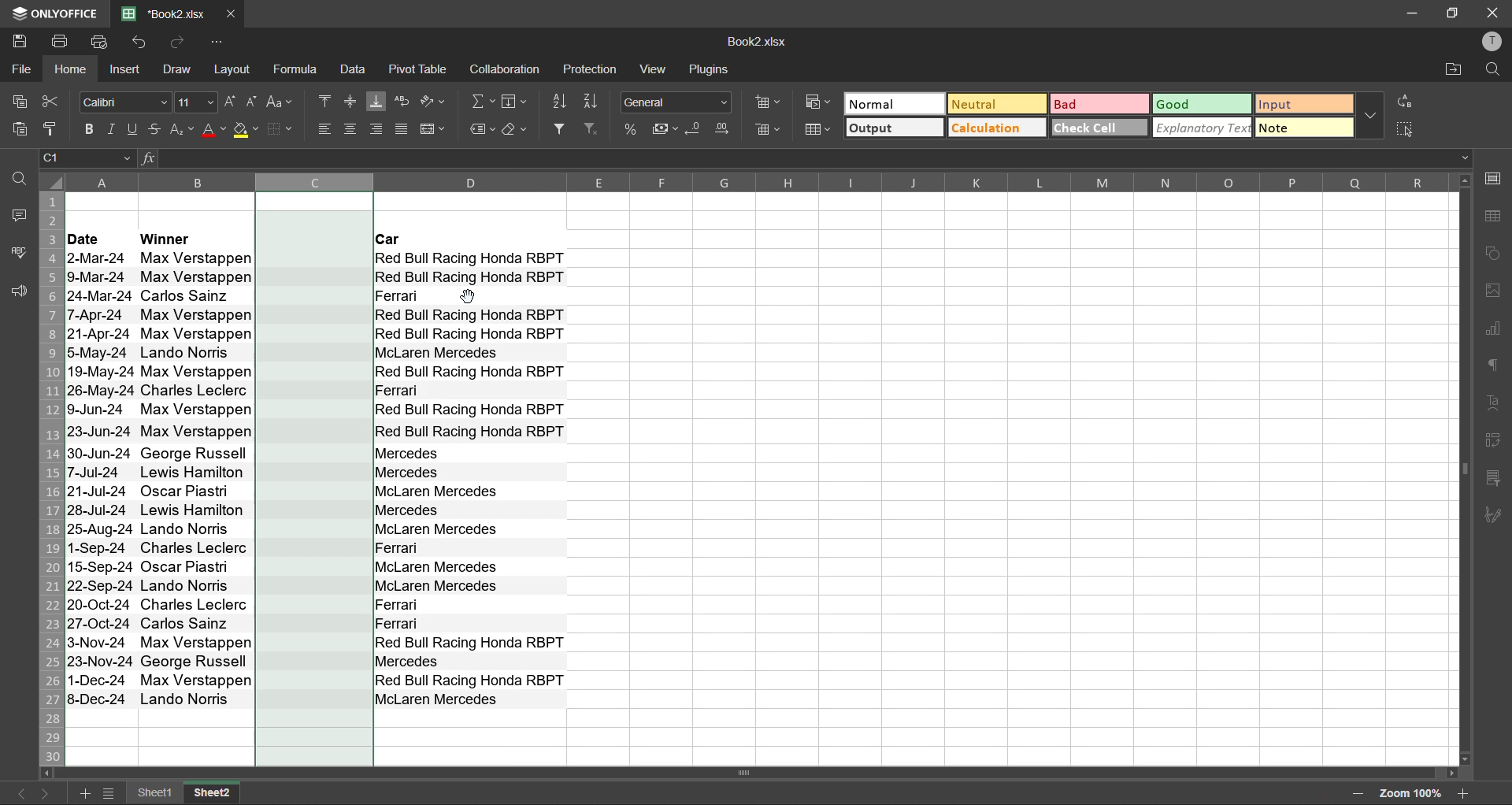 The width and height of the screenshot is (1512, 805). Describe the element at coordinates (20, 182) in the screenshot. I see `find` at that location.